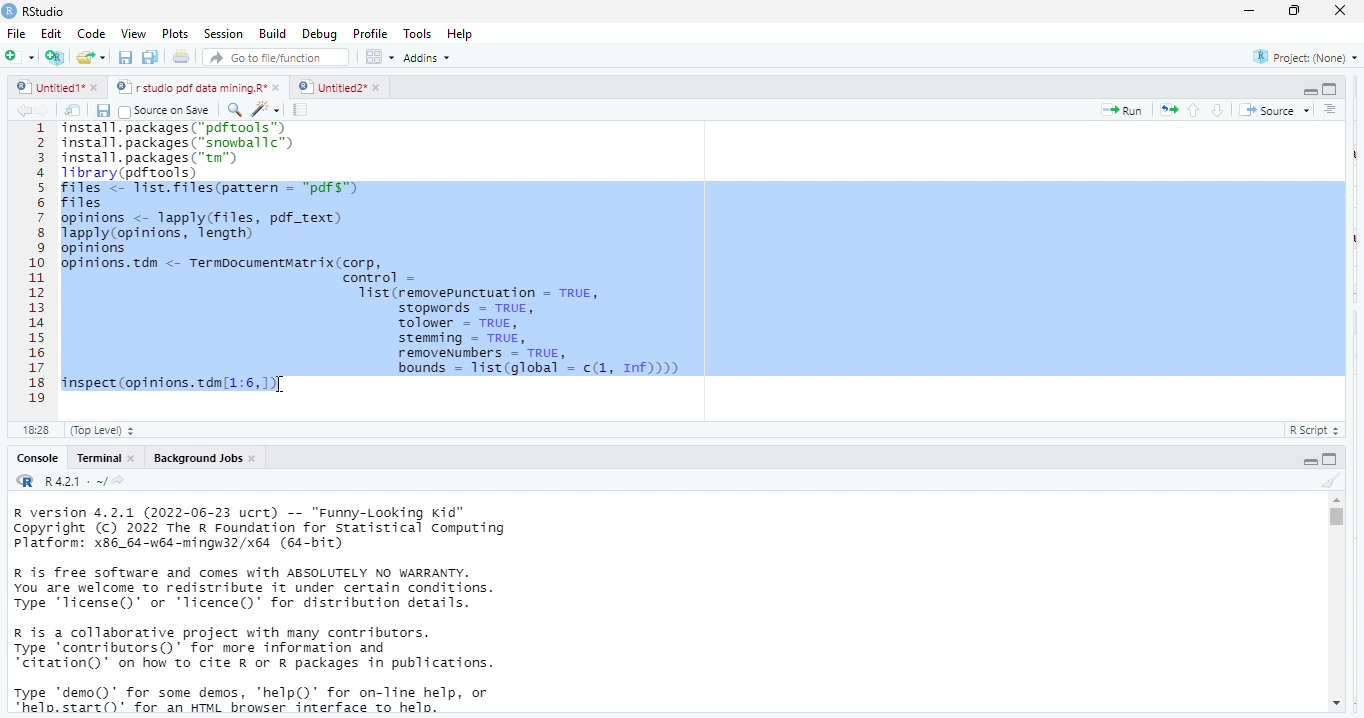 The width and height of the screenshot is (1364, 718). Describe the element at coordinates (420, 32) in the screenshot. I see `tools` at that location.